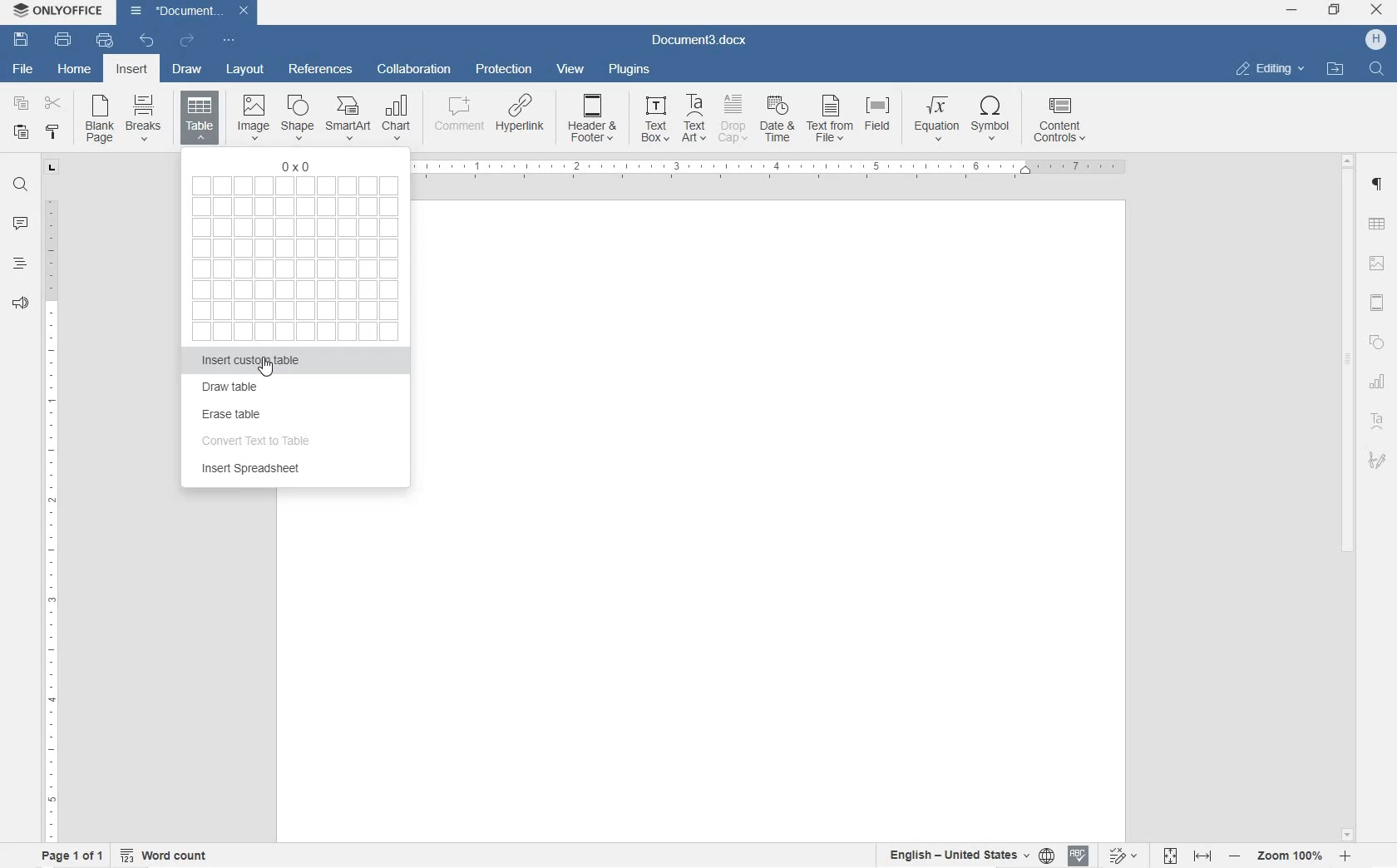 The height and width of the screenshot is (868, 1397). What do you see at coordinates (19, 187) in the screenshot?
I see `FIND` at bounding box center [19, 187].